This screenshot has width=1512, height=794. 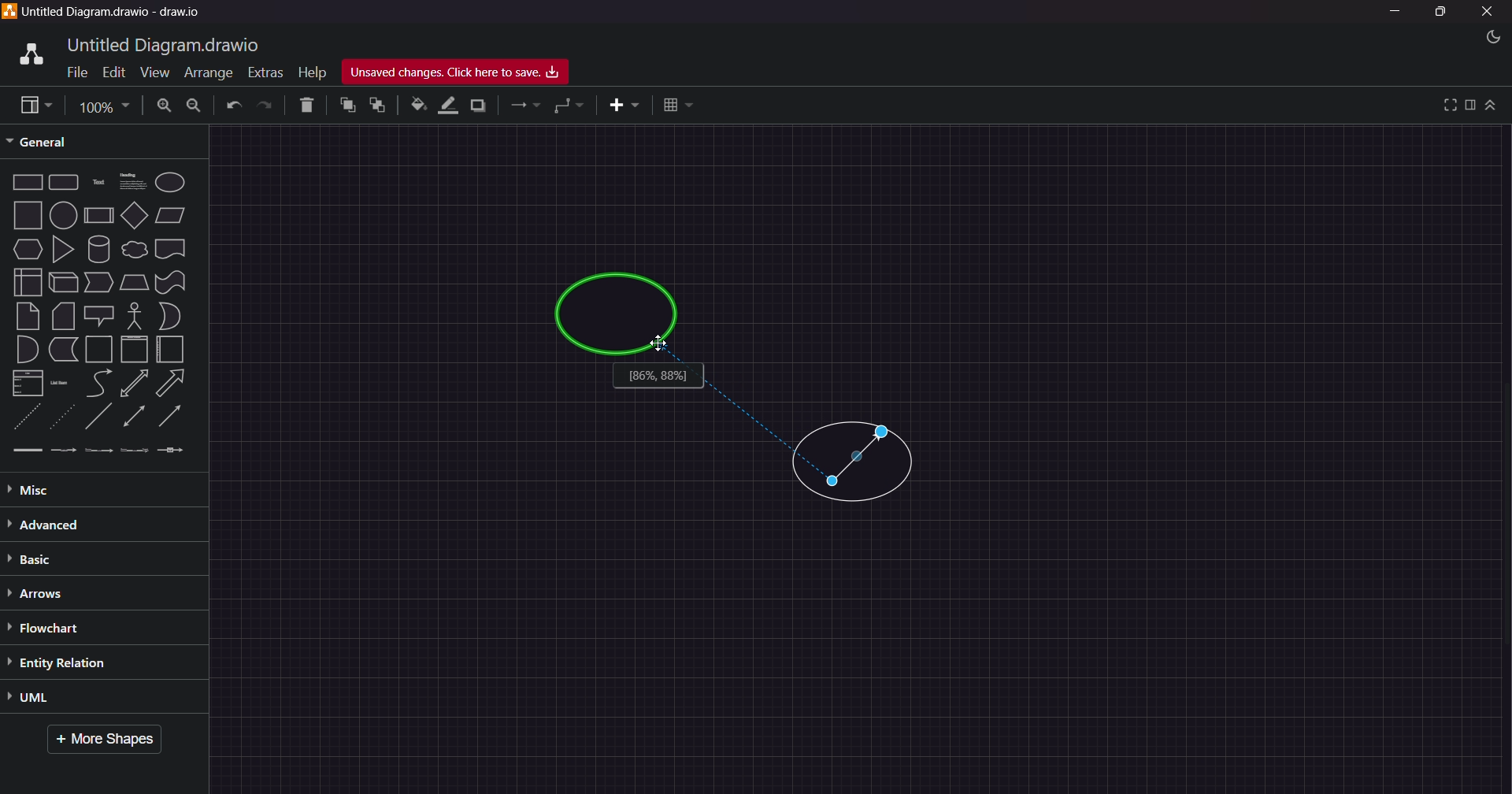 What do you see at coordinates (100, 315) in the screenshot?
I see `Shapes` at bounding box center [100, 315].